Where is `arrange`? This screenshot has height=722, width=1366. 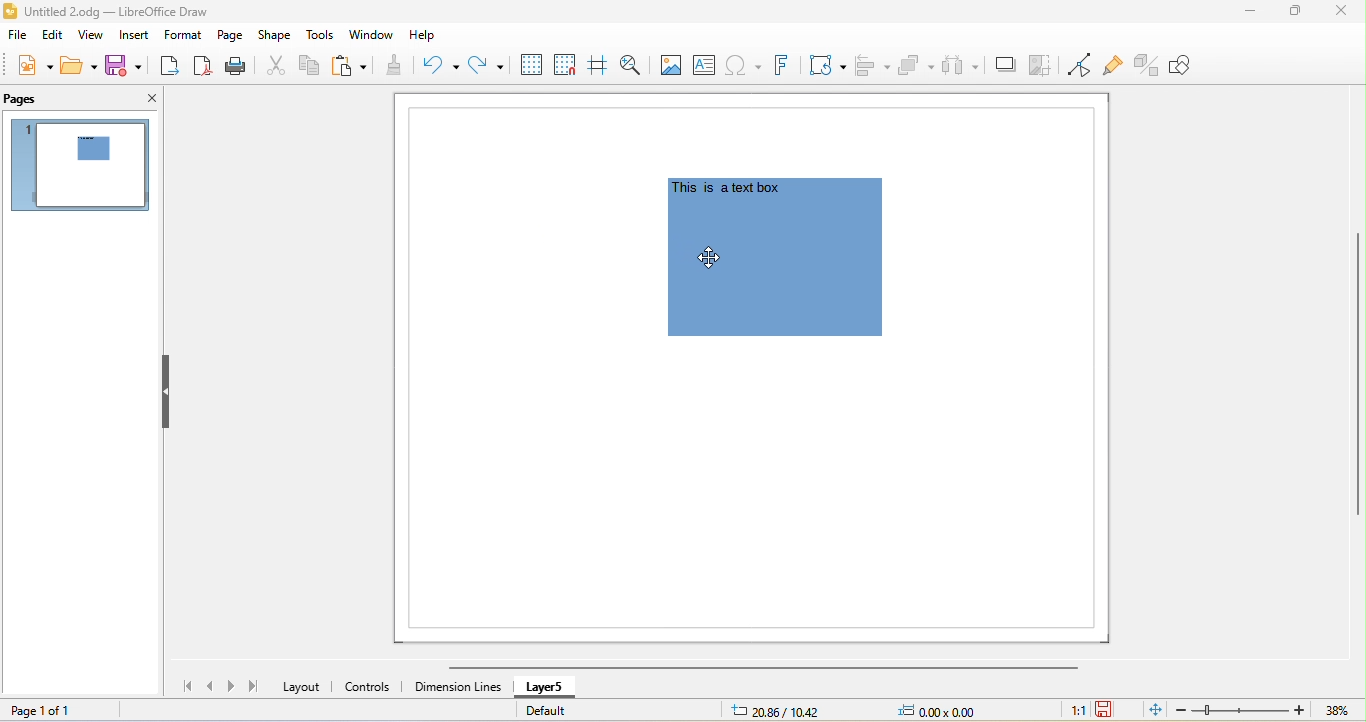 arrange is located at coordinates (914, 65).